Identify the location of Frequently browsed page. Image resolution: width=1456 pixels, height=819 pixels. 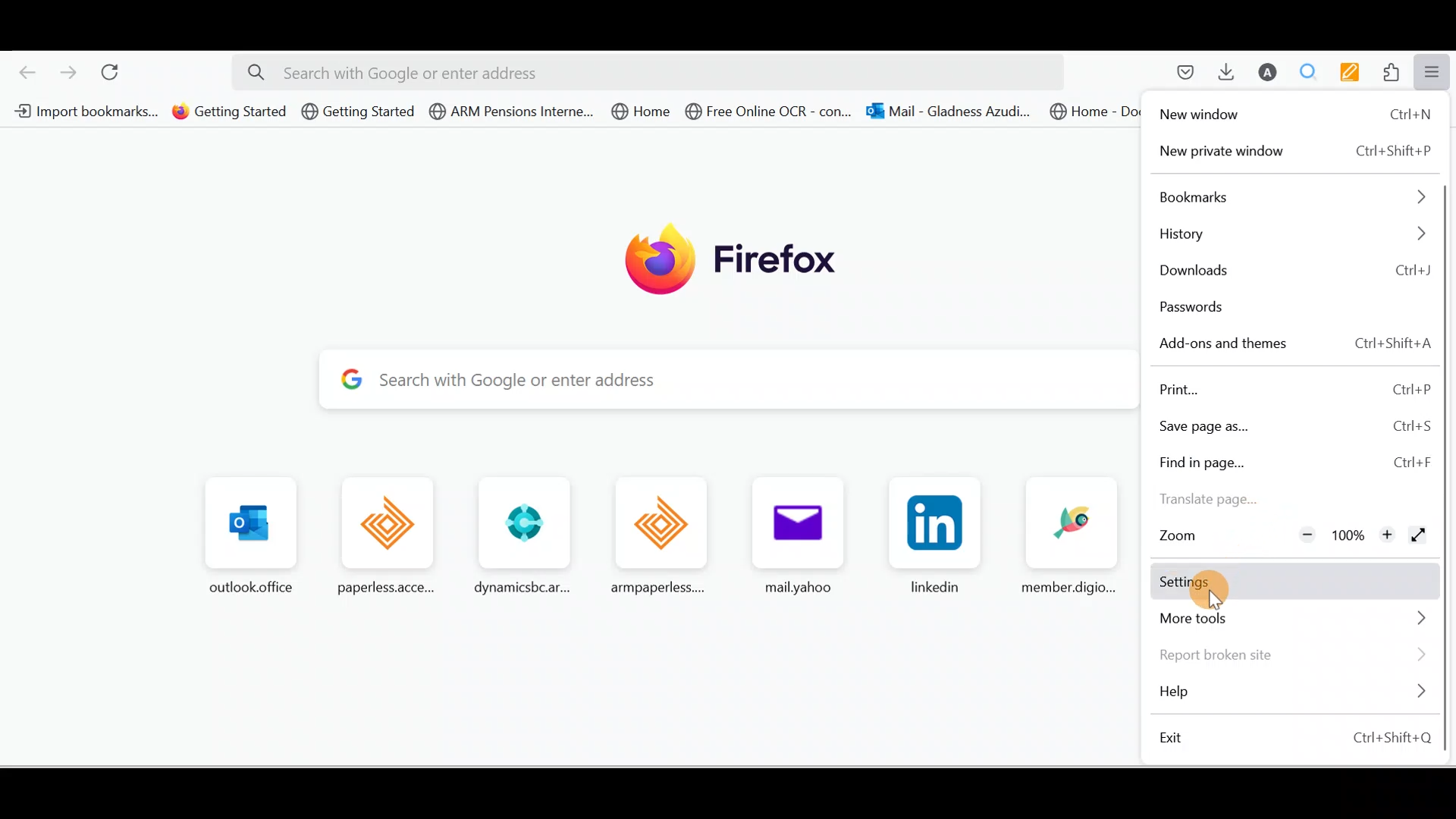
(931, 536).